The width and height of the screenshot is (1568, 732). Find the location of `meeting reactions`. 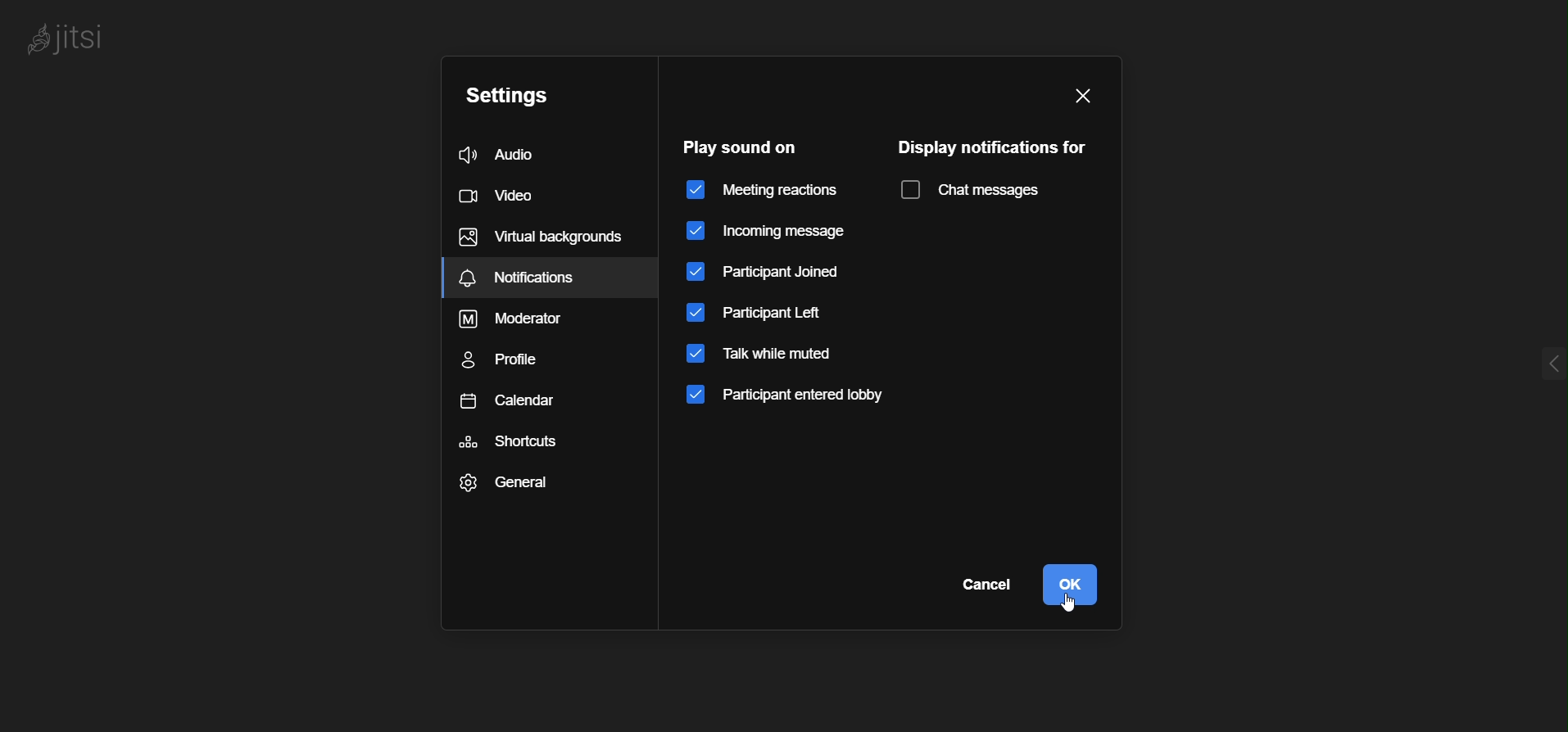

meeting reactions is located at coordinates (764, 192).